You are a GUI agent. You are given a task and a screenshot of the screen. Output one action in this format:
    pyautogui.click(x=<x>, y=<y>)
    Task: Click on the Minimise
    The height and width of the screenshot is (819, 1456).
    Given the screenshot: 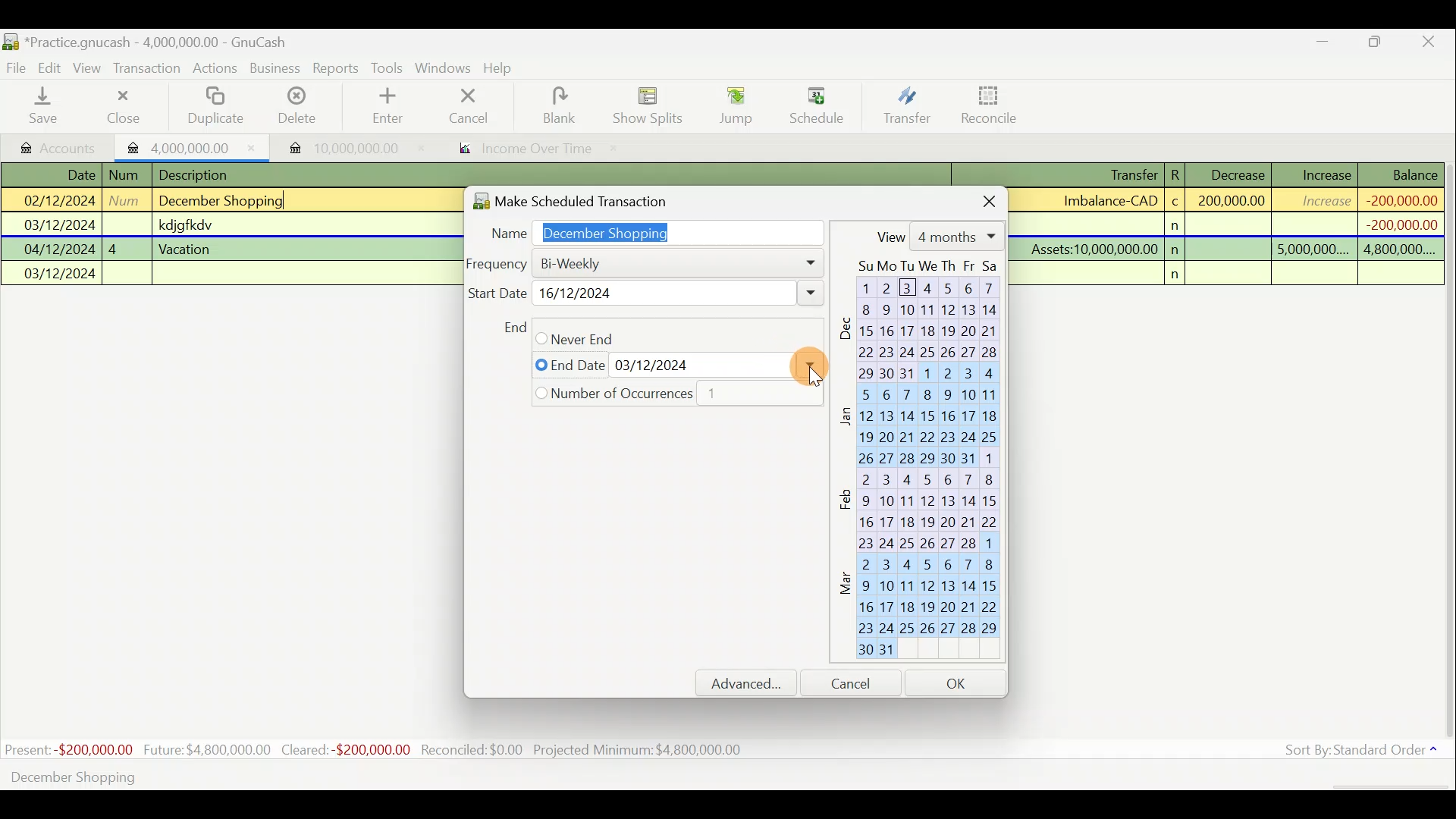 What is the action you would take?
    pyautogui.click(x=1323, y=45)
    